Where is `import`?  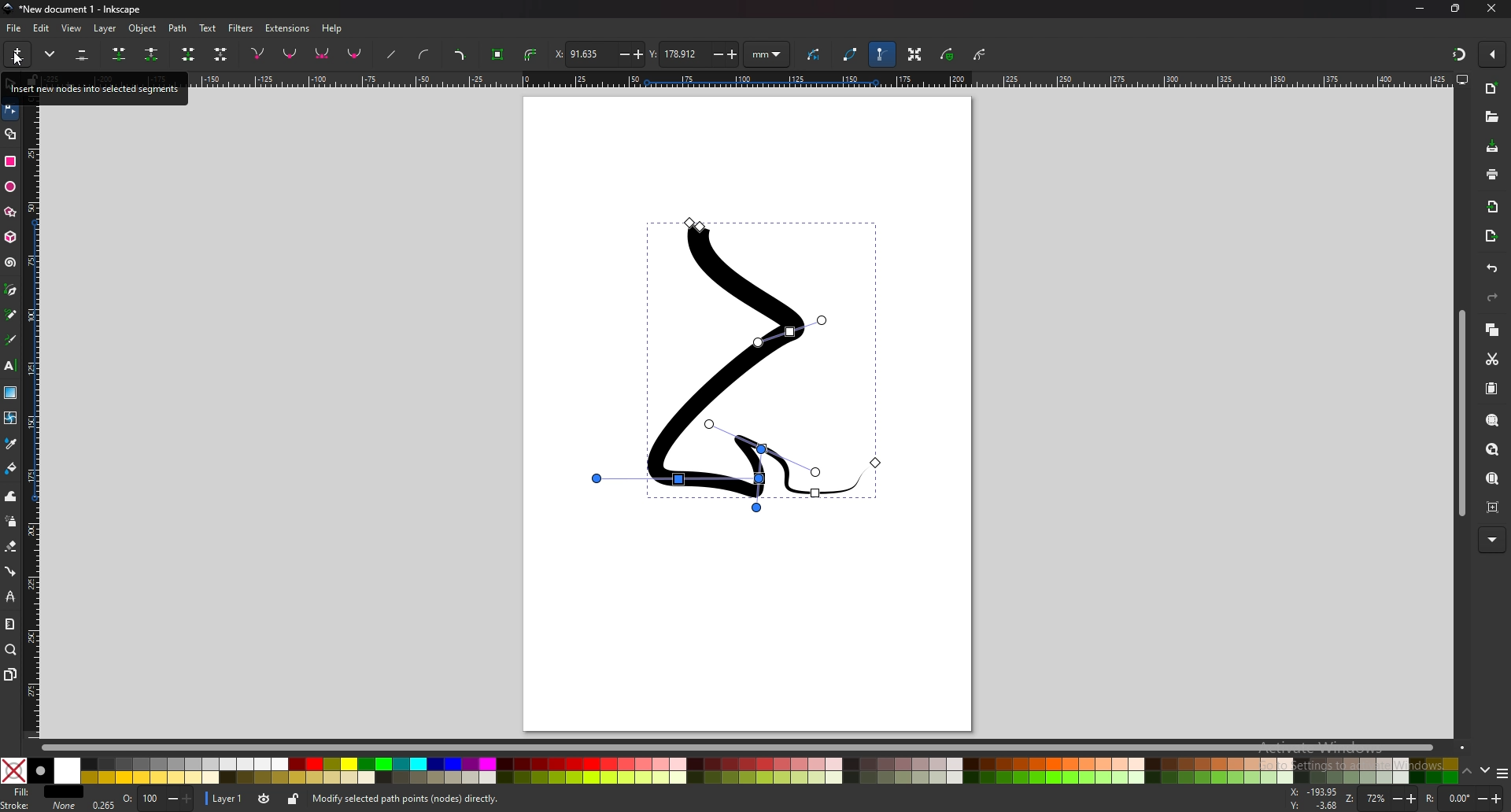 import is located at coordinates (1493, 206).